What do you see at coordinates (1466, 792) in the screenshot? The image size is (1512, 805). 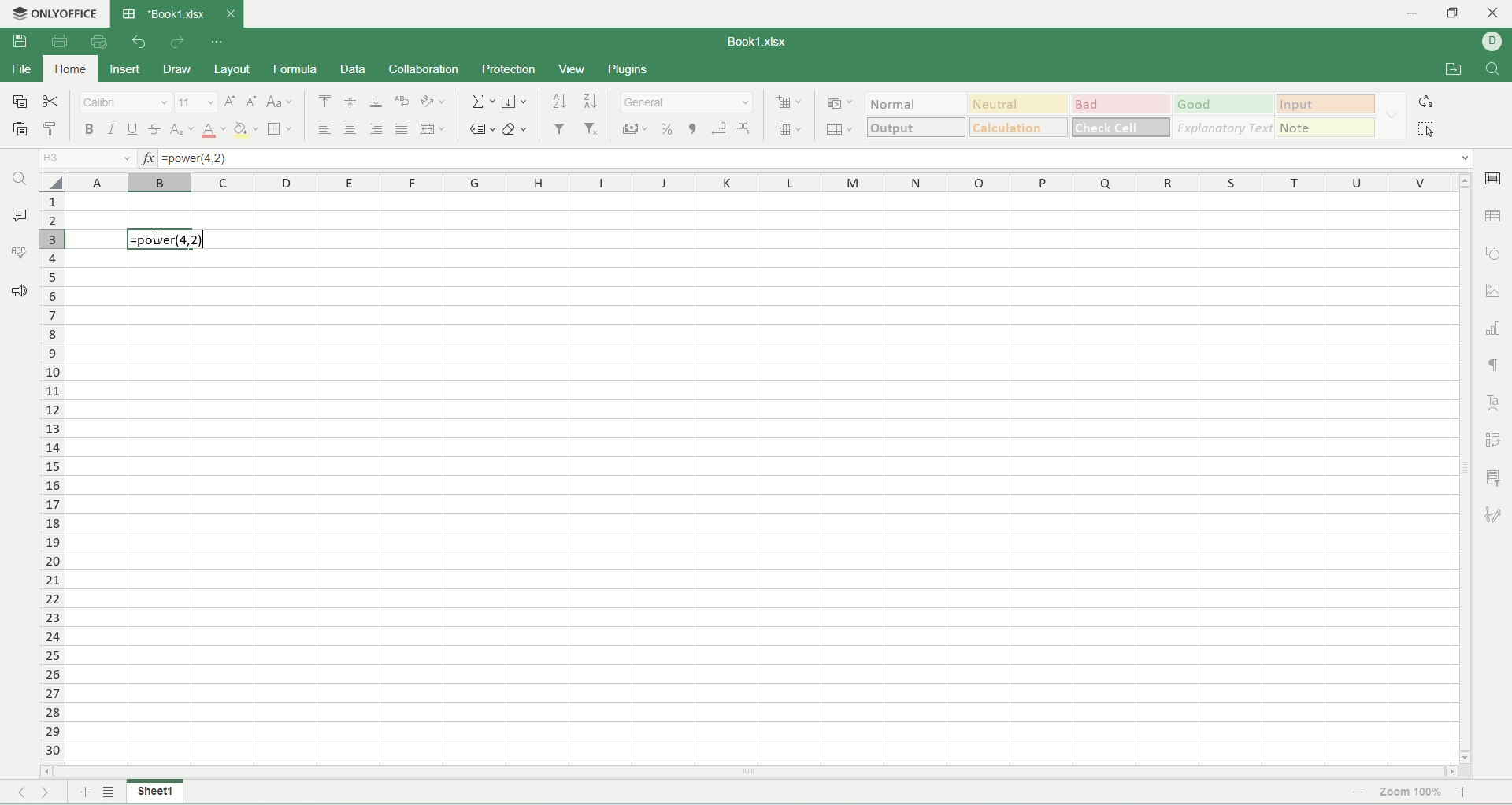 I see `zoom in` at bounding box center [1466, 792].